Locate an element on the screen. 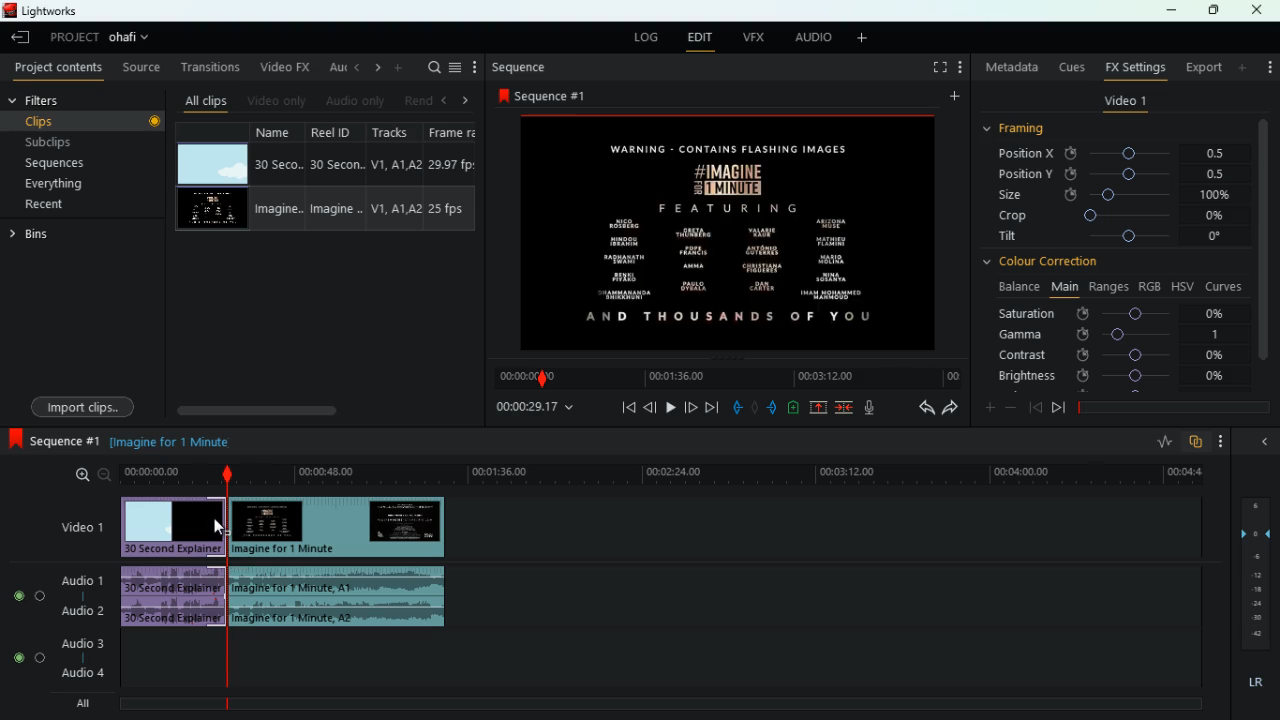 This screenshot has width=1280, height=720. name is located at coordinates (279, 178).